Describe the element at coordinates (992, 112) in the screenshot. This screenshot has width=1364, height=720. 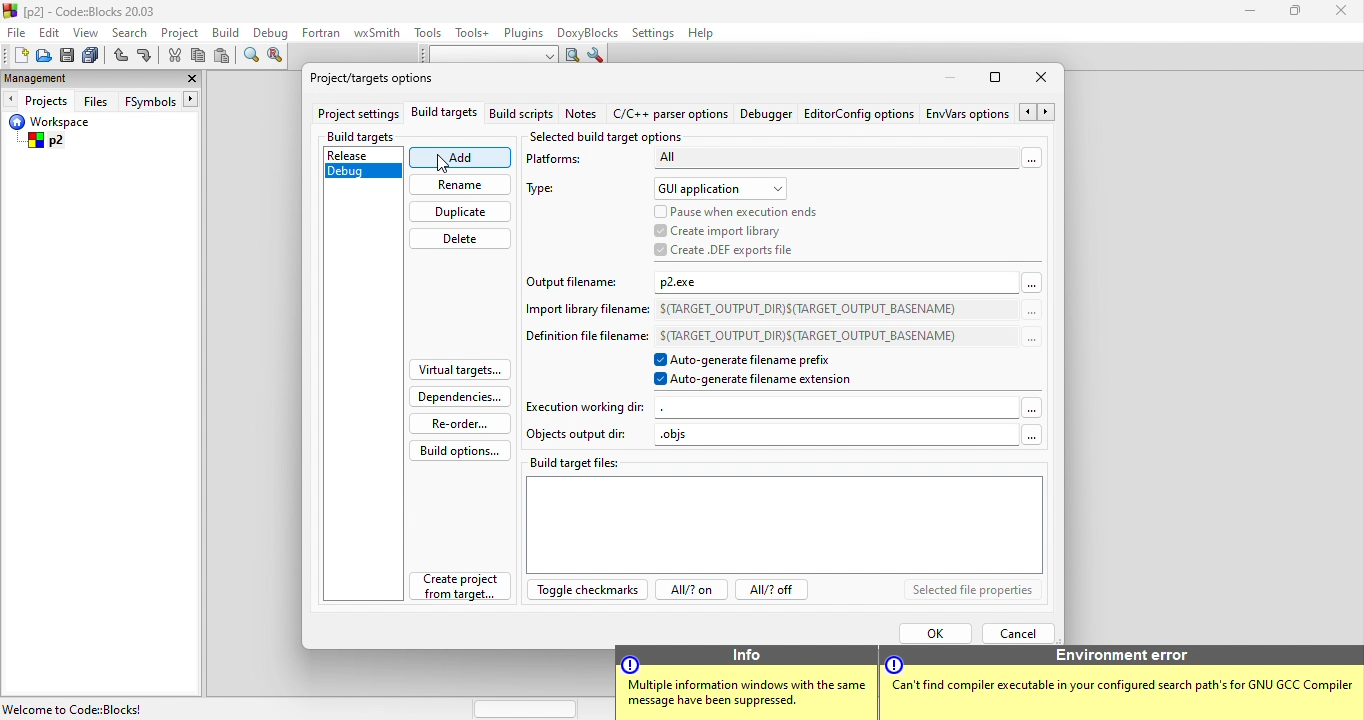
I see `env\vars option` at that location.